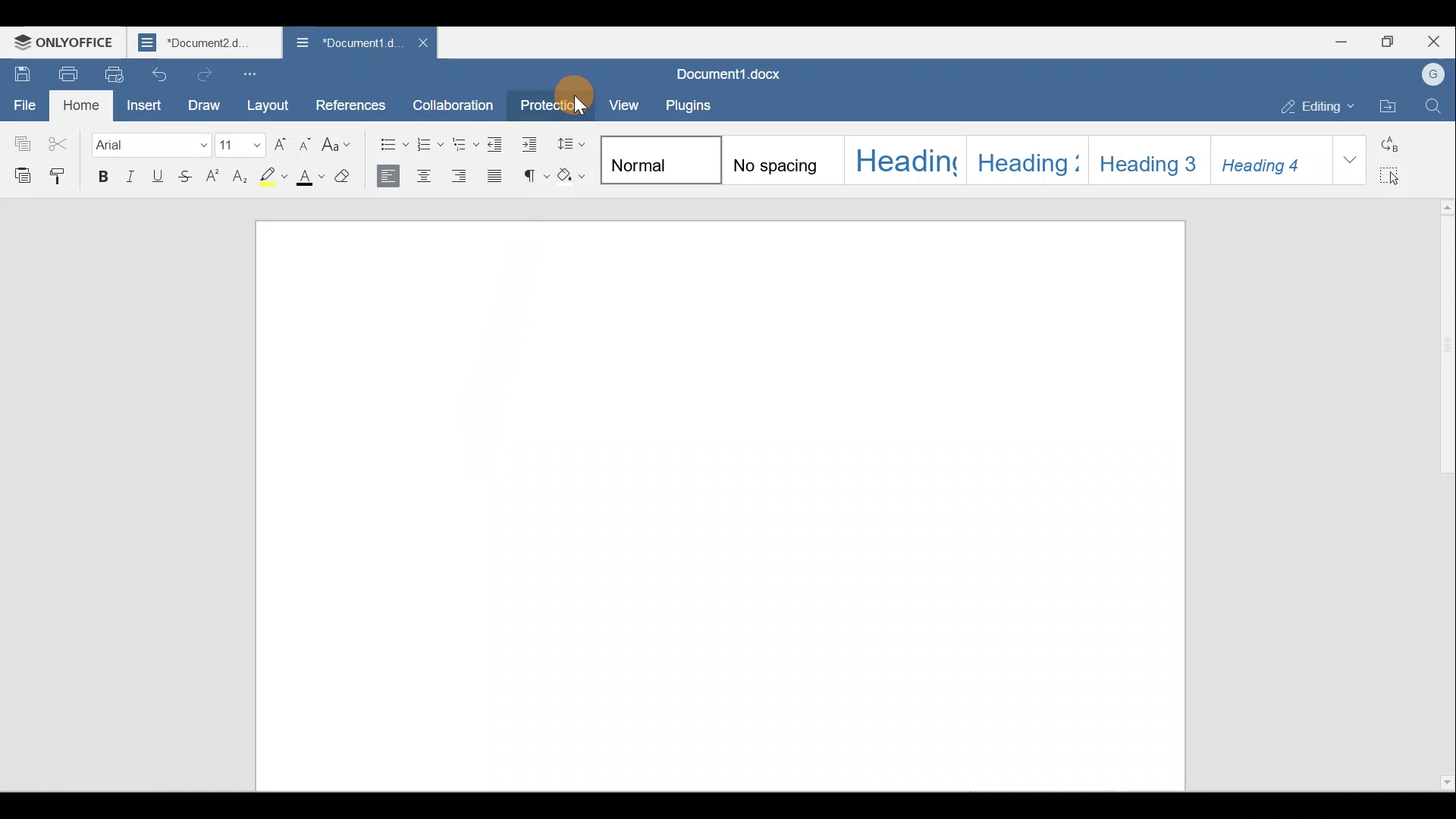 The width and height of the screenshot is (1456, 819). What do you see at coordinates (392, 175) in the screenshot?
I see `Align left` at bounding box center [392, 175].